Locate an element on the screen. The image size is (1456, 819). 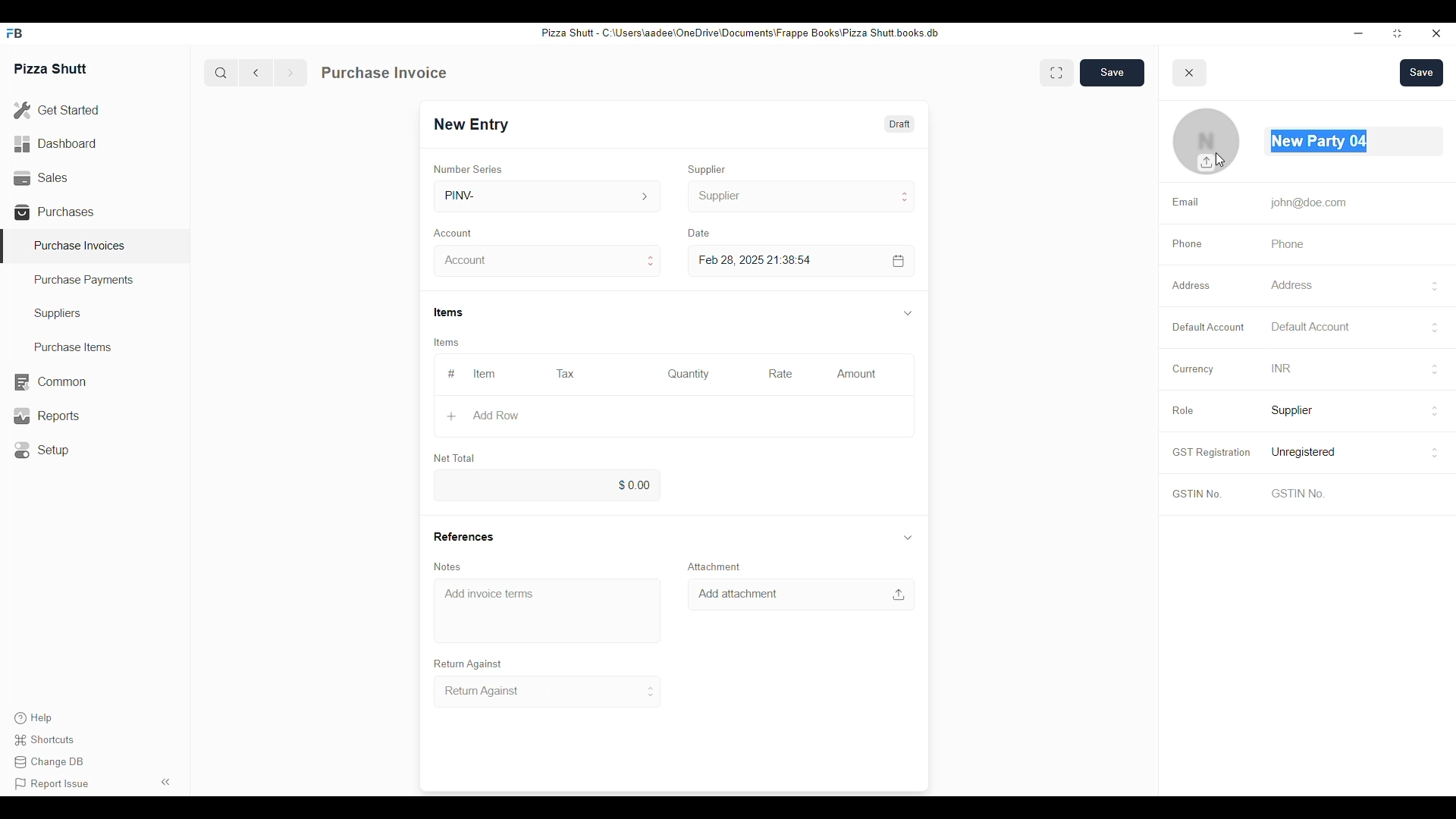
PINV is located at coordinates (549, 196).